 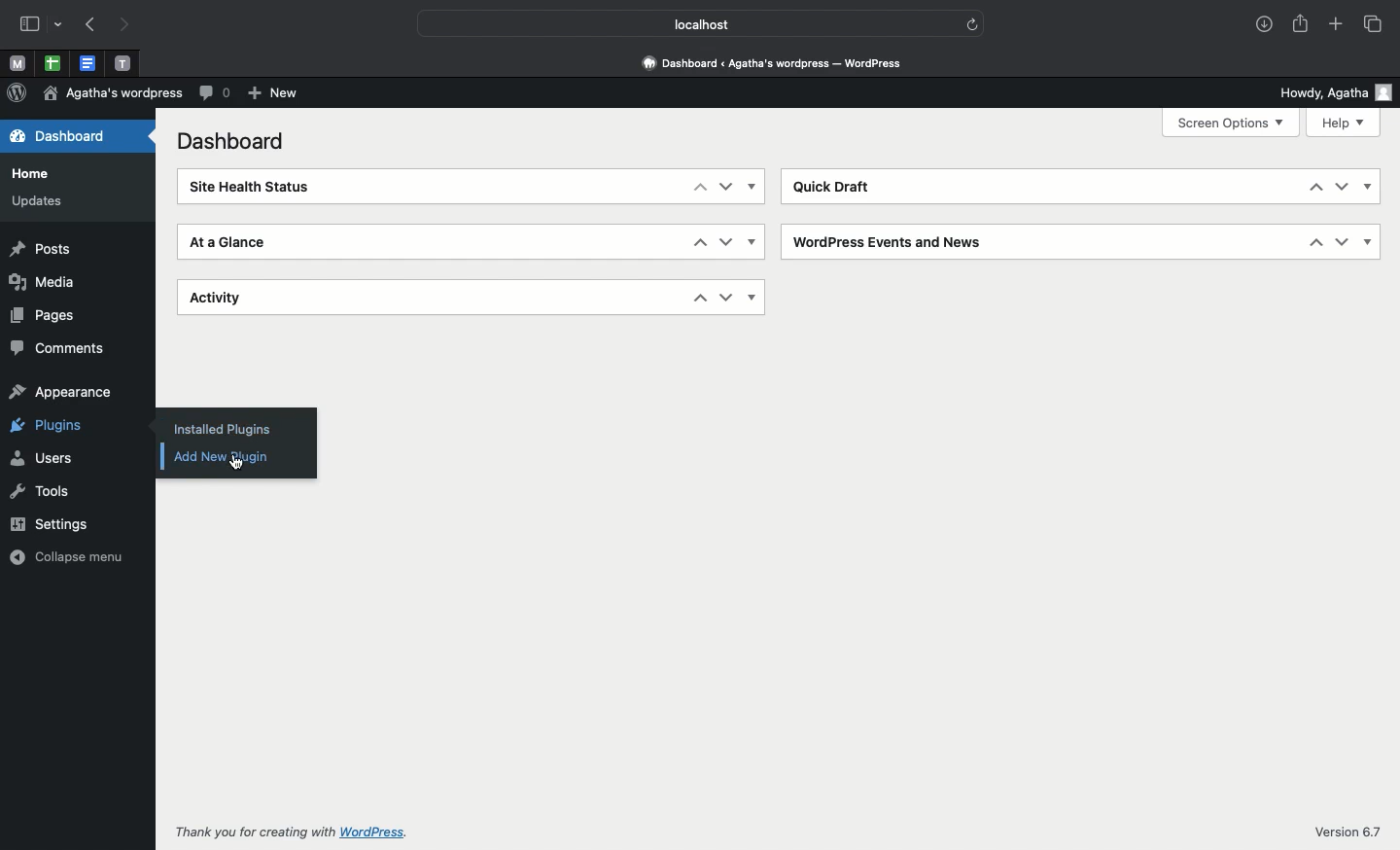 I want to click on Localhost, so click(x=688, y=23).